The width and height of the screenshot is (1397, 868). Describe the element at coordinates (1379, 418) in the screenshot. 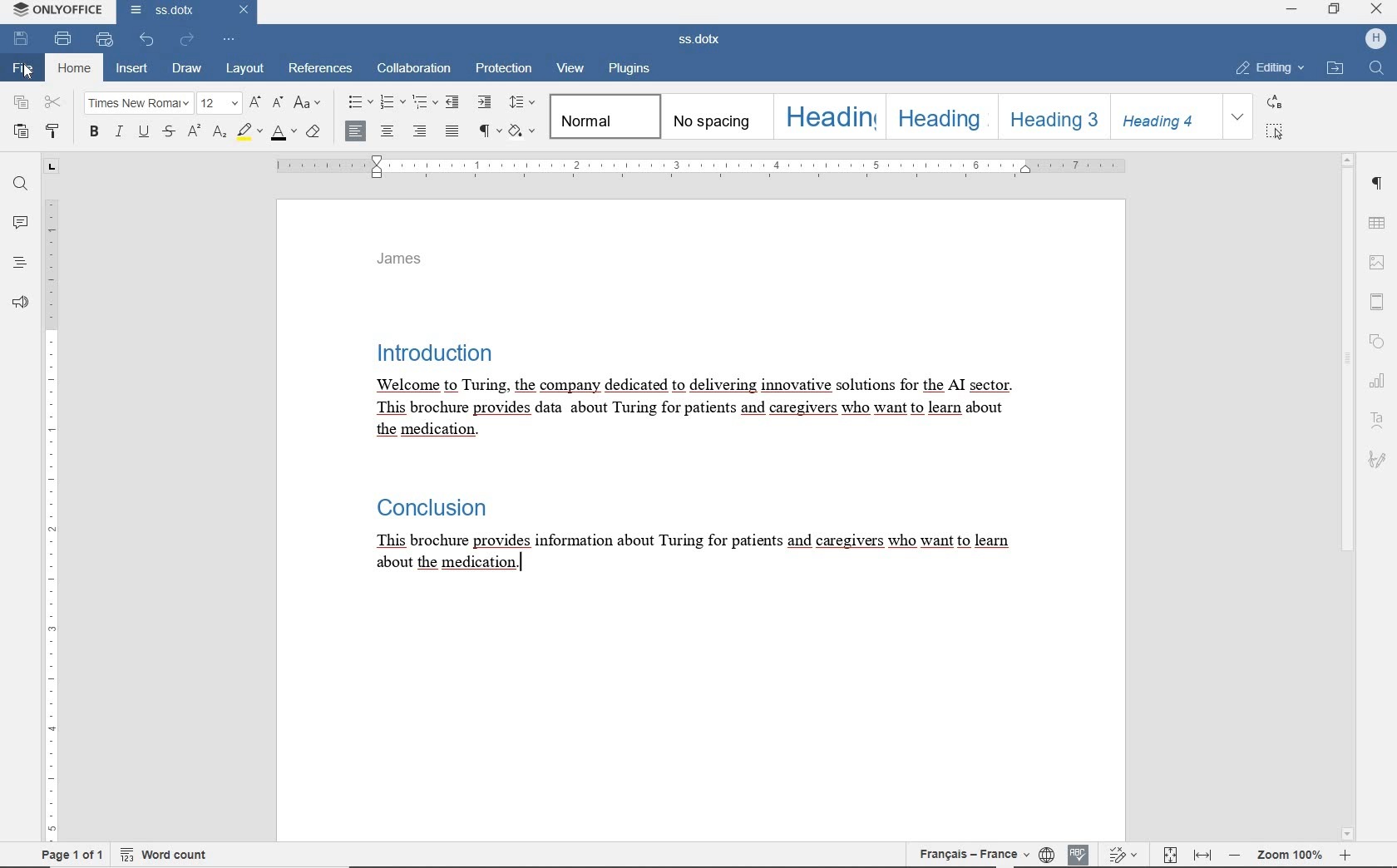

I see `TEXT ART` at that location.